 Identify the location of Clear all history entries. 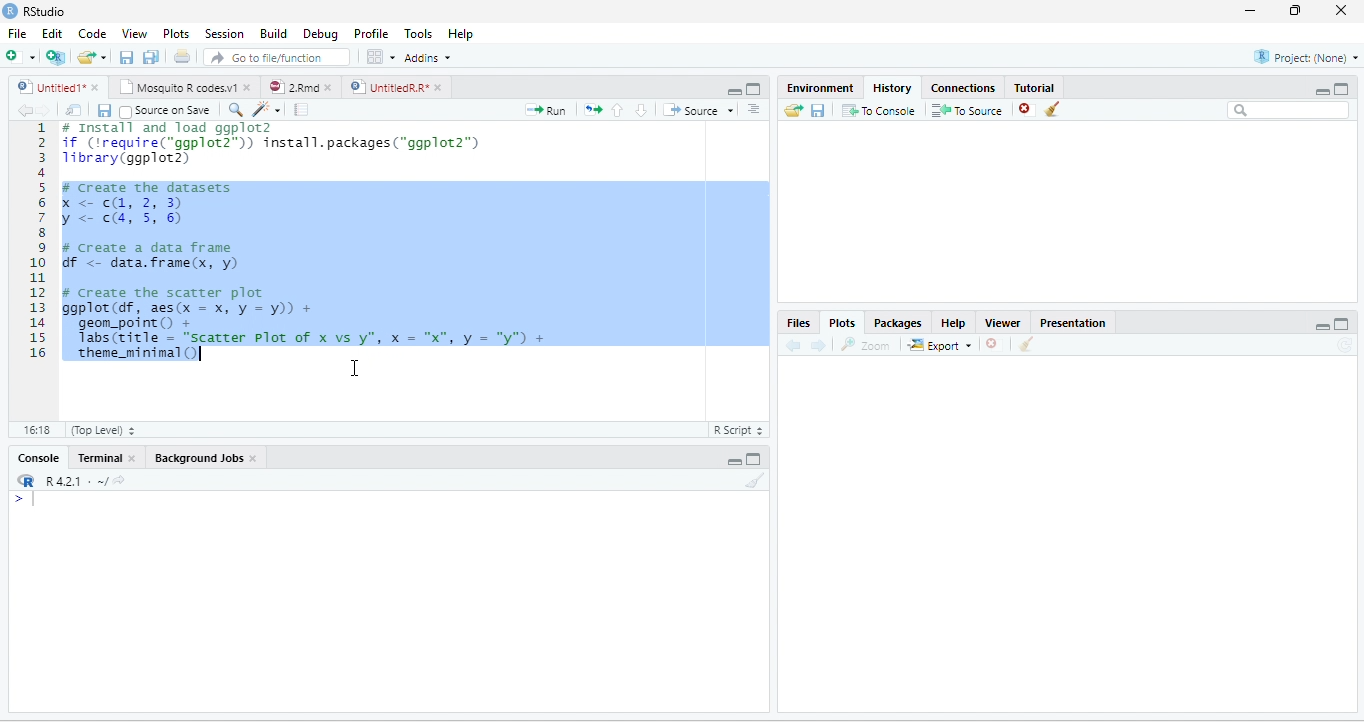
(1053, 109).